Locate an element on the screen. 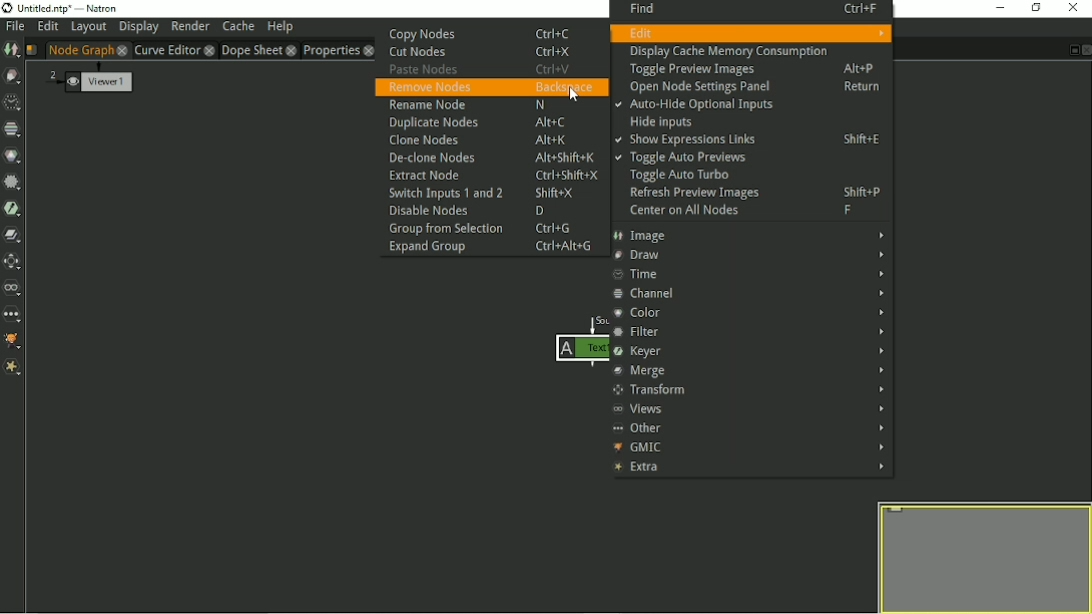 This screenshot has height=614, width=1092. Toggle Preview Images is located at coordinates (752, 69).